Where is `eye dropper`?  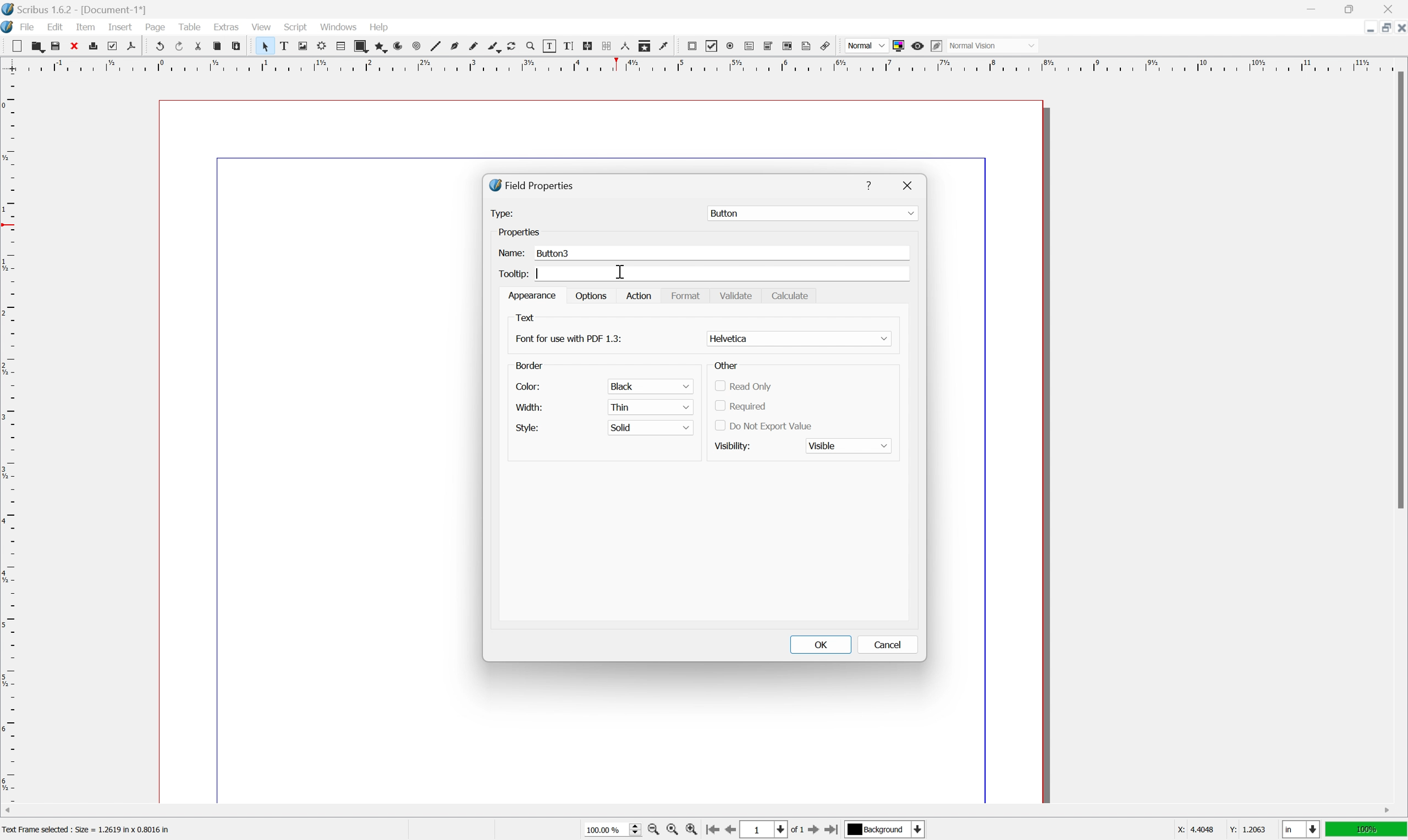 eye dropper is located at coordinates (665, 46).